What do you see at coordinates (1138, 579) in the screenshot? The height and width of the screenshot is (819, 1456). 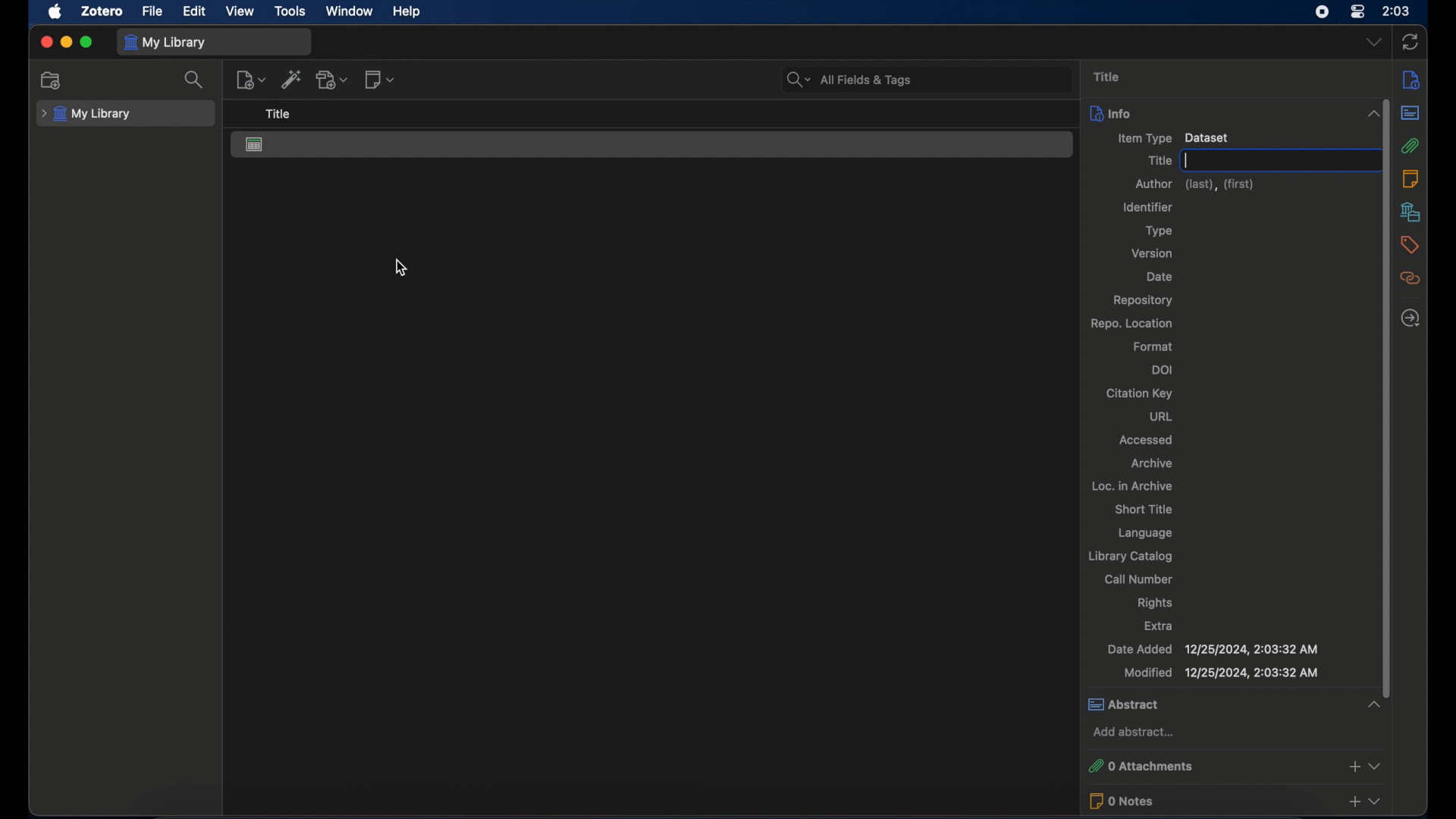 I see `call number` at bounding box center [1138, 579].